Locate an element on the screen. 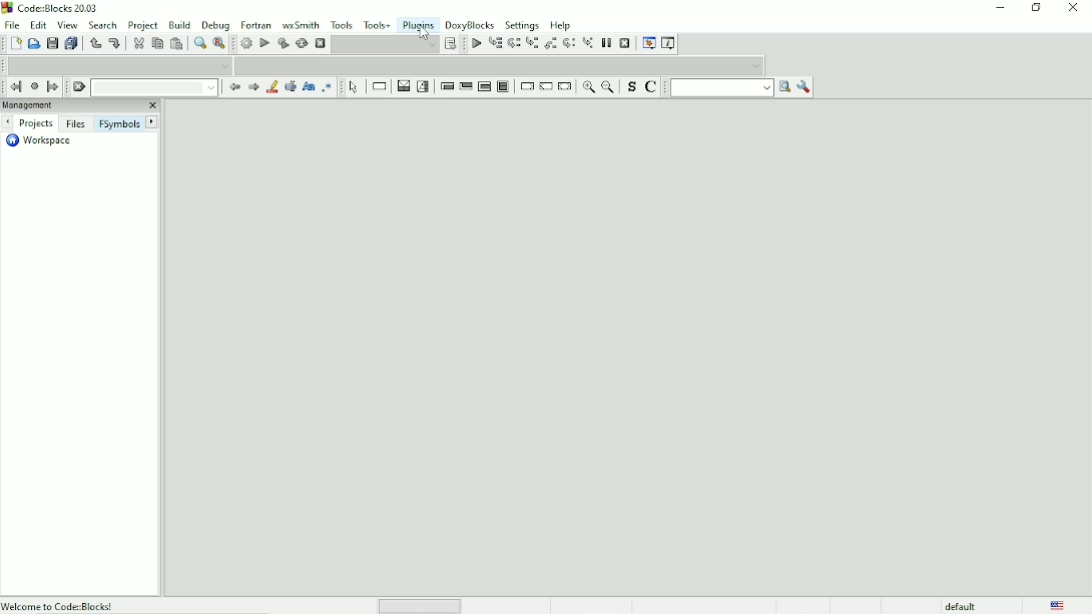 Image resolution: width=1092 pixels, height=614 pixels. Welcome to Code::Blocks! is located at coordinates (59, 605).